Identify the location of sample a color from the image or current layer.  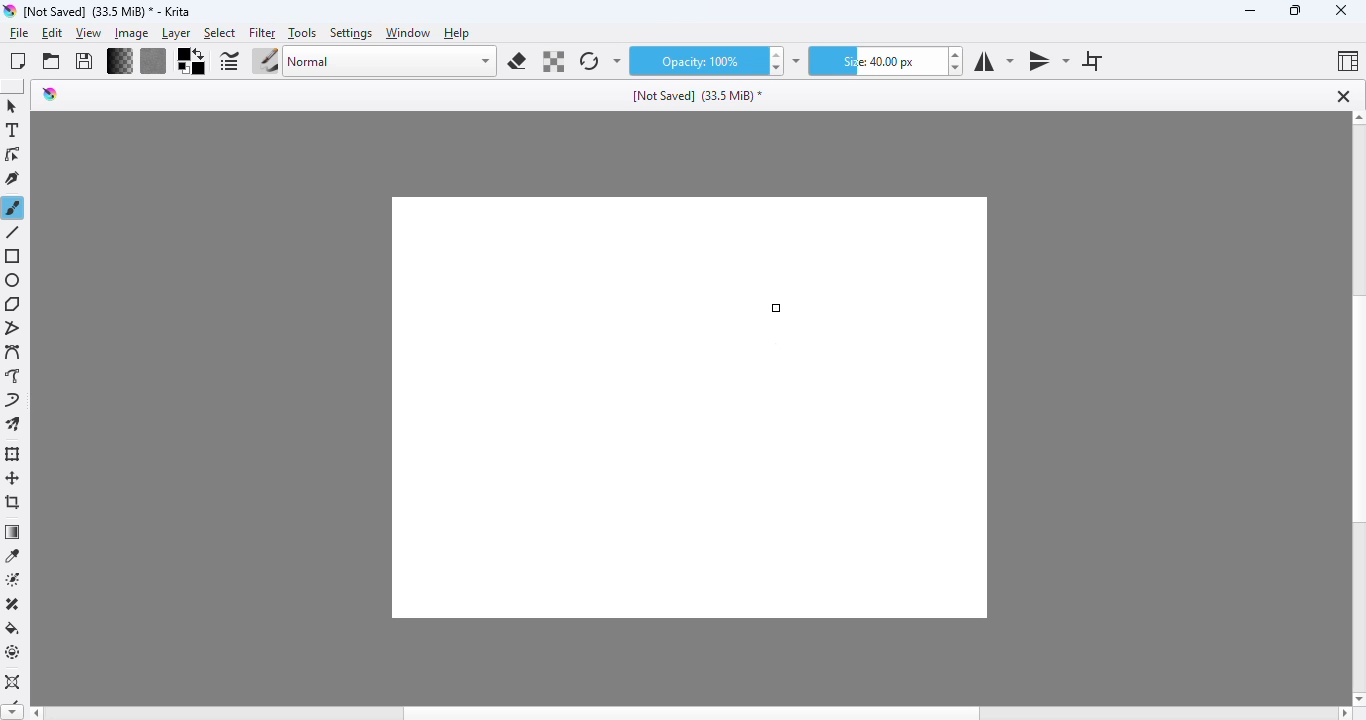
(13, 555).